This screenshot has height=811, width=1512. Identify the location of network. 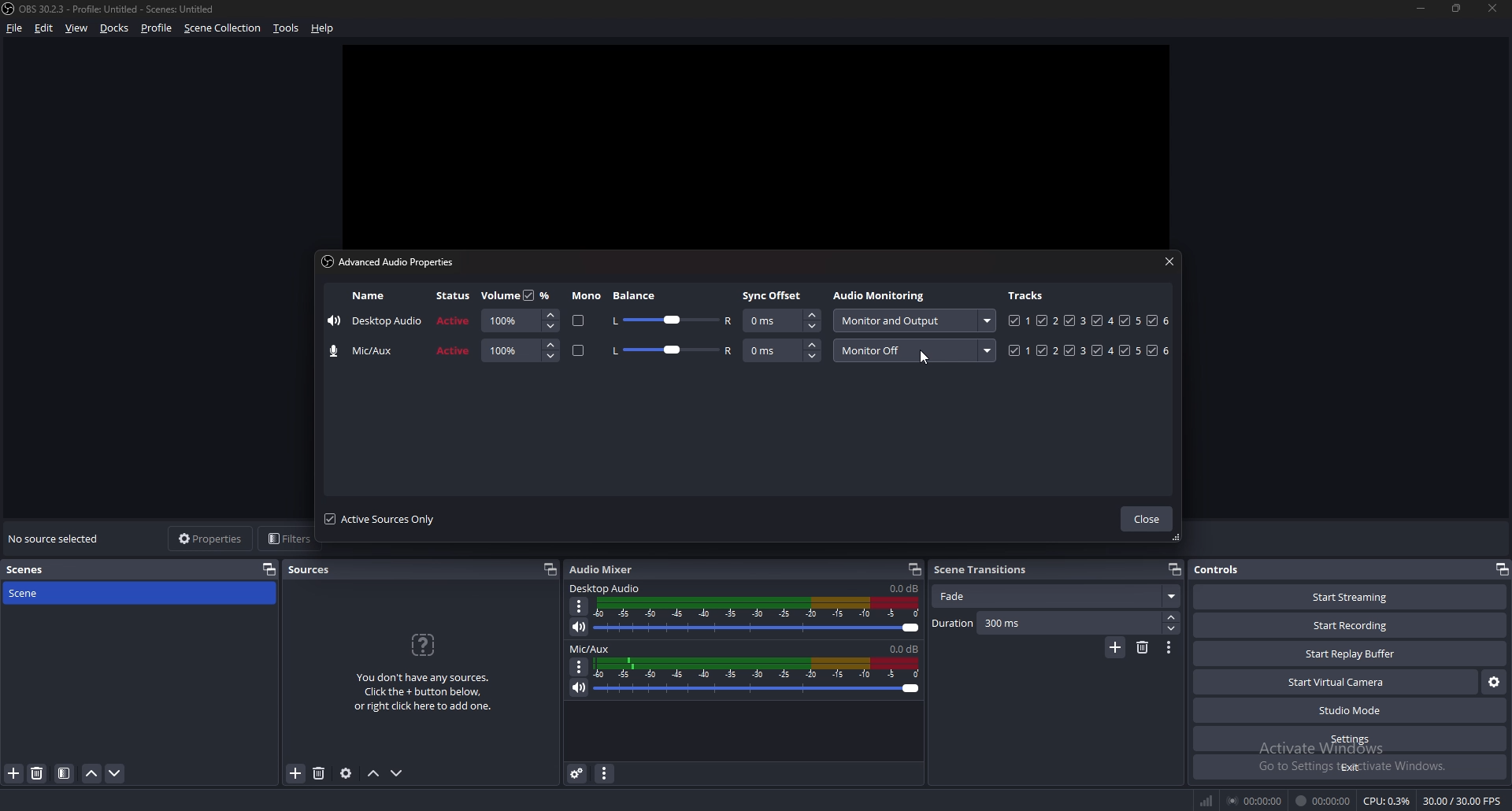
(1208, 801).